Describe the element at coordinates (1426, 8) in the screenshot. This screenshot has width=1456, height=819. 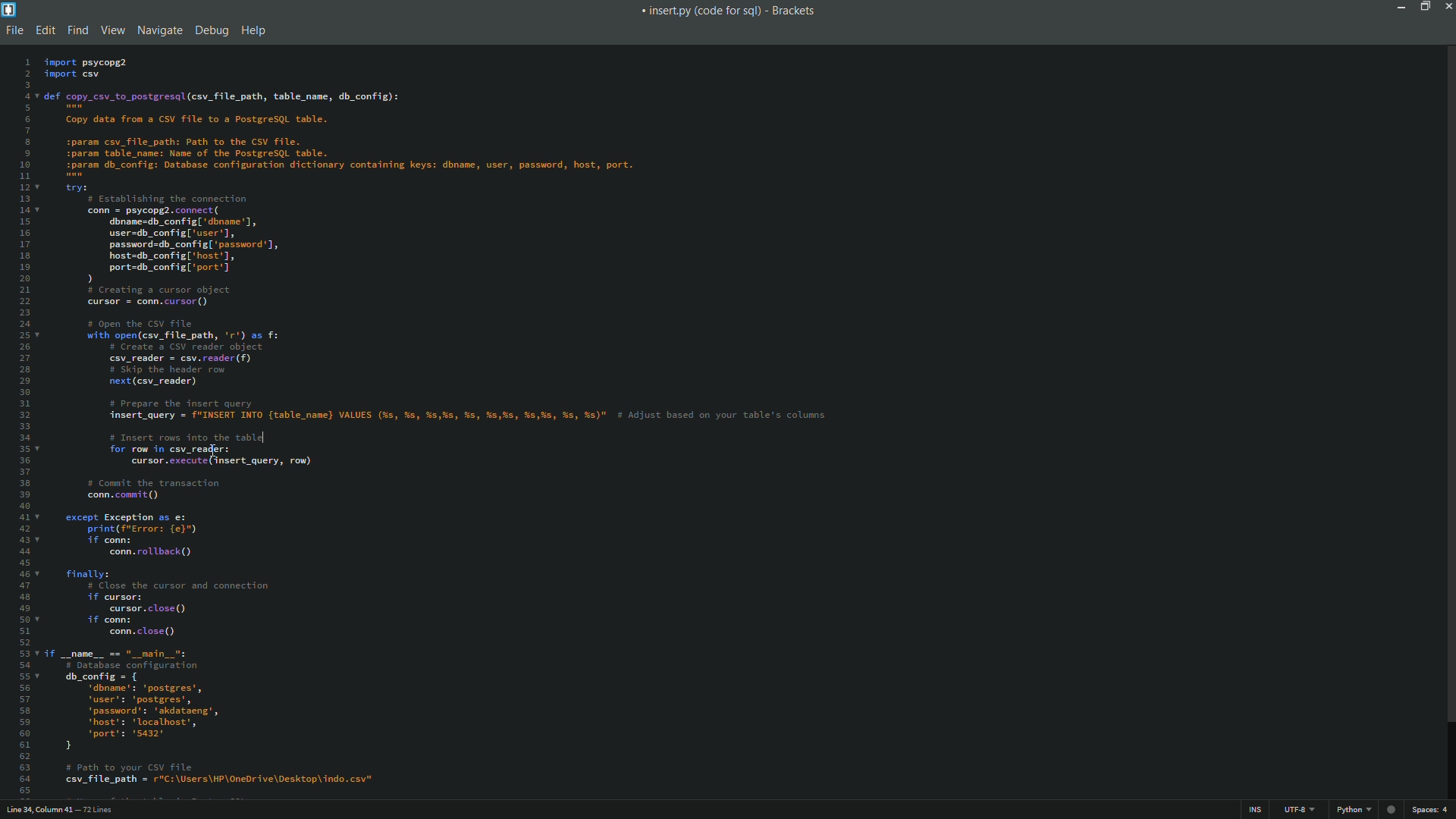
I see `maximize` at that location.